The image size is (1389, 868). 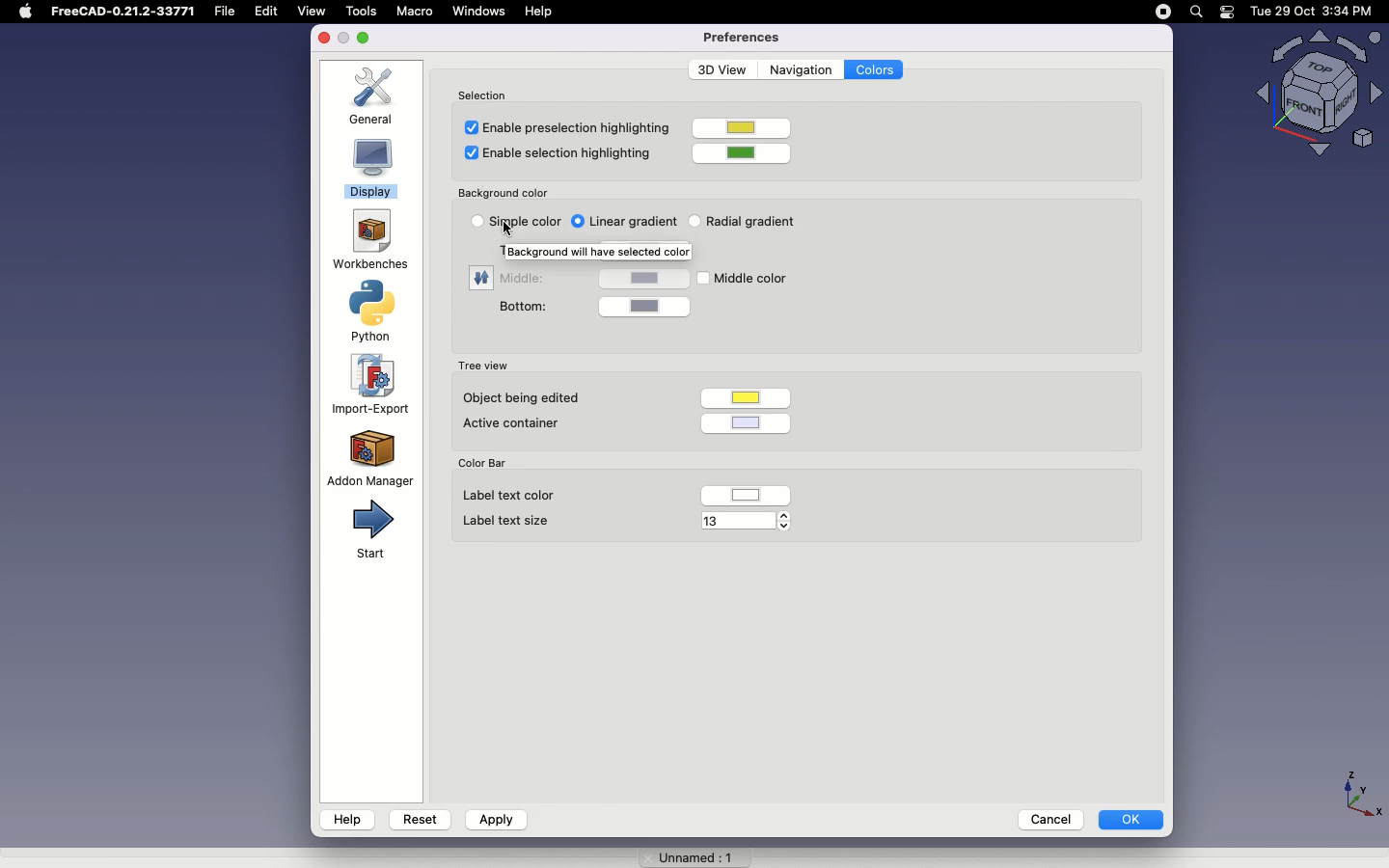 What do you see at coordinates (651, 305) in the screenshot?
I see `color` at bounding box center [651, 305].